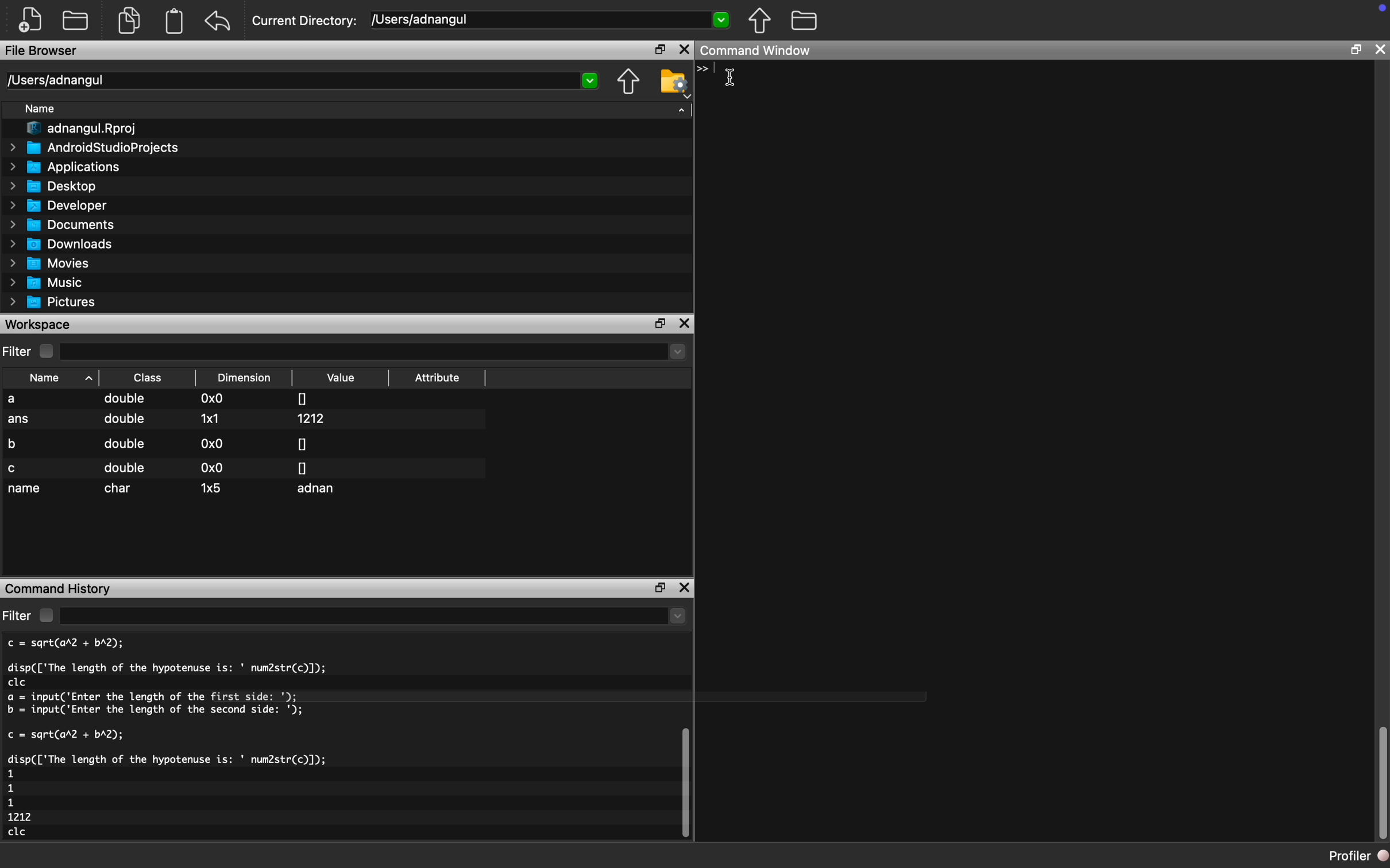 The height and width of the screenshot is (868, 1390). Describe the element at coordinates (126, 400) in the screenshot. I see `double` at that location.